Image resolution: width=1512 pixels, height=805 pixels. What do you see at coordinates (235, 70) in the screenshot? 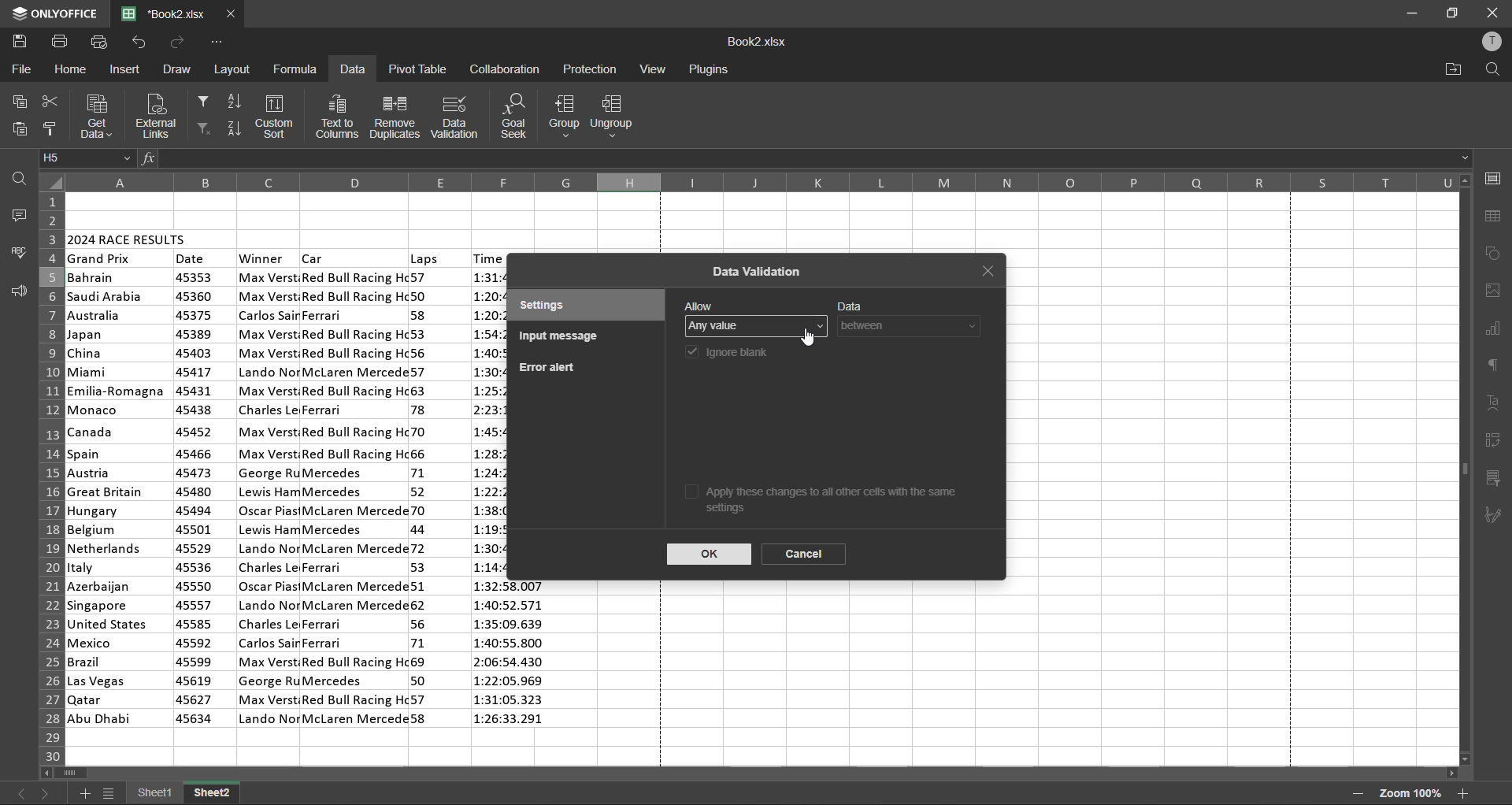
I see `layout` at bounding box center [235, 70].